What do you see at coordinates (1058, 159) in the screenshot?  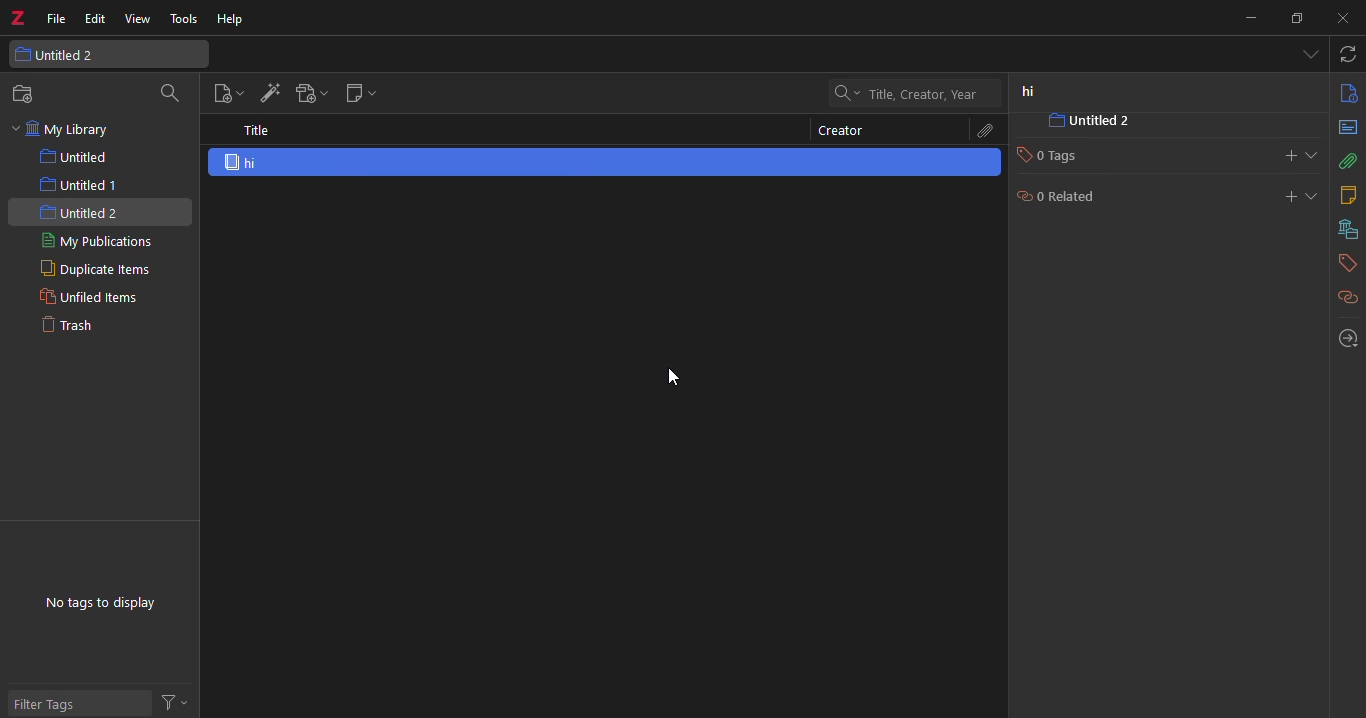 I see `0 tags` at bounding box center [1058, 159].